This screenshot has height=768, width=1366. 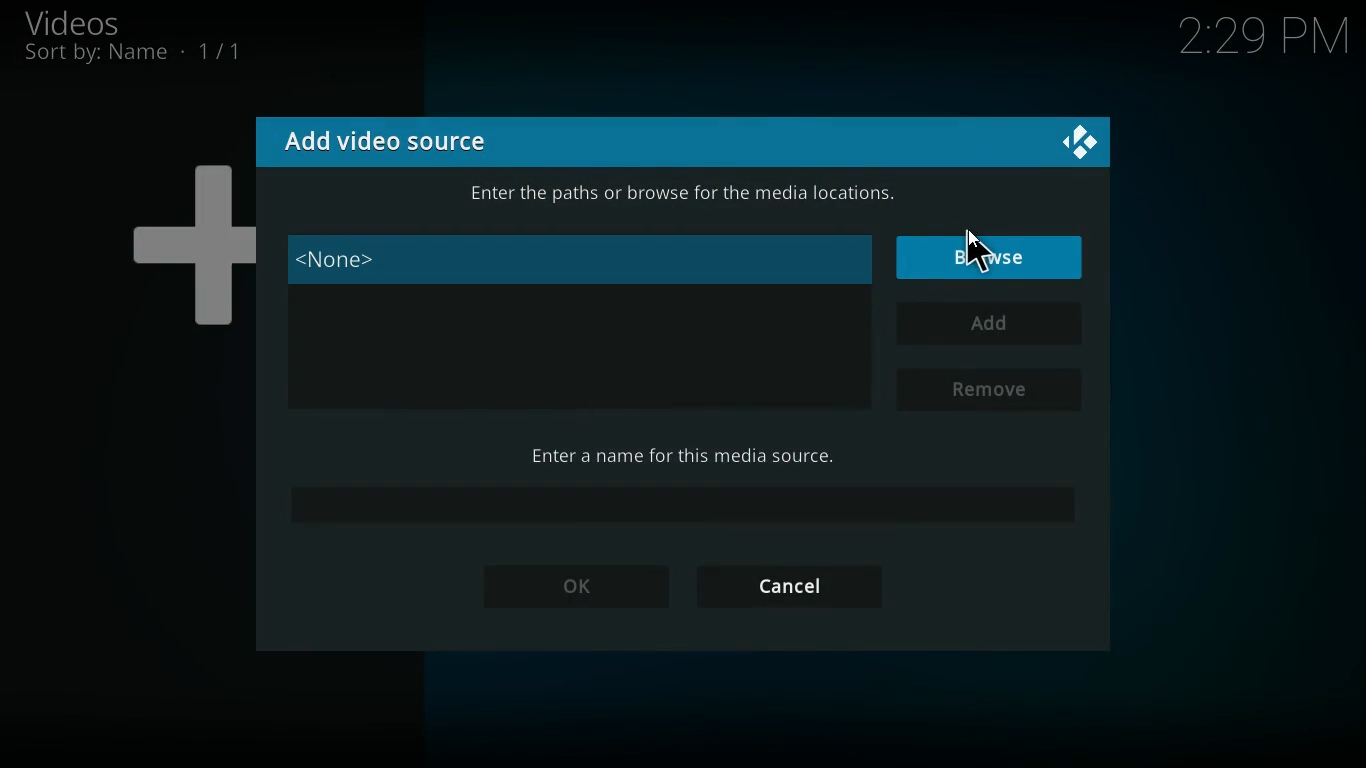 What do you see at coordinates (680, 509) in the screenshot?
I see `type space` at bounding box center [680, 509].